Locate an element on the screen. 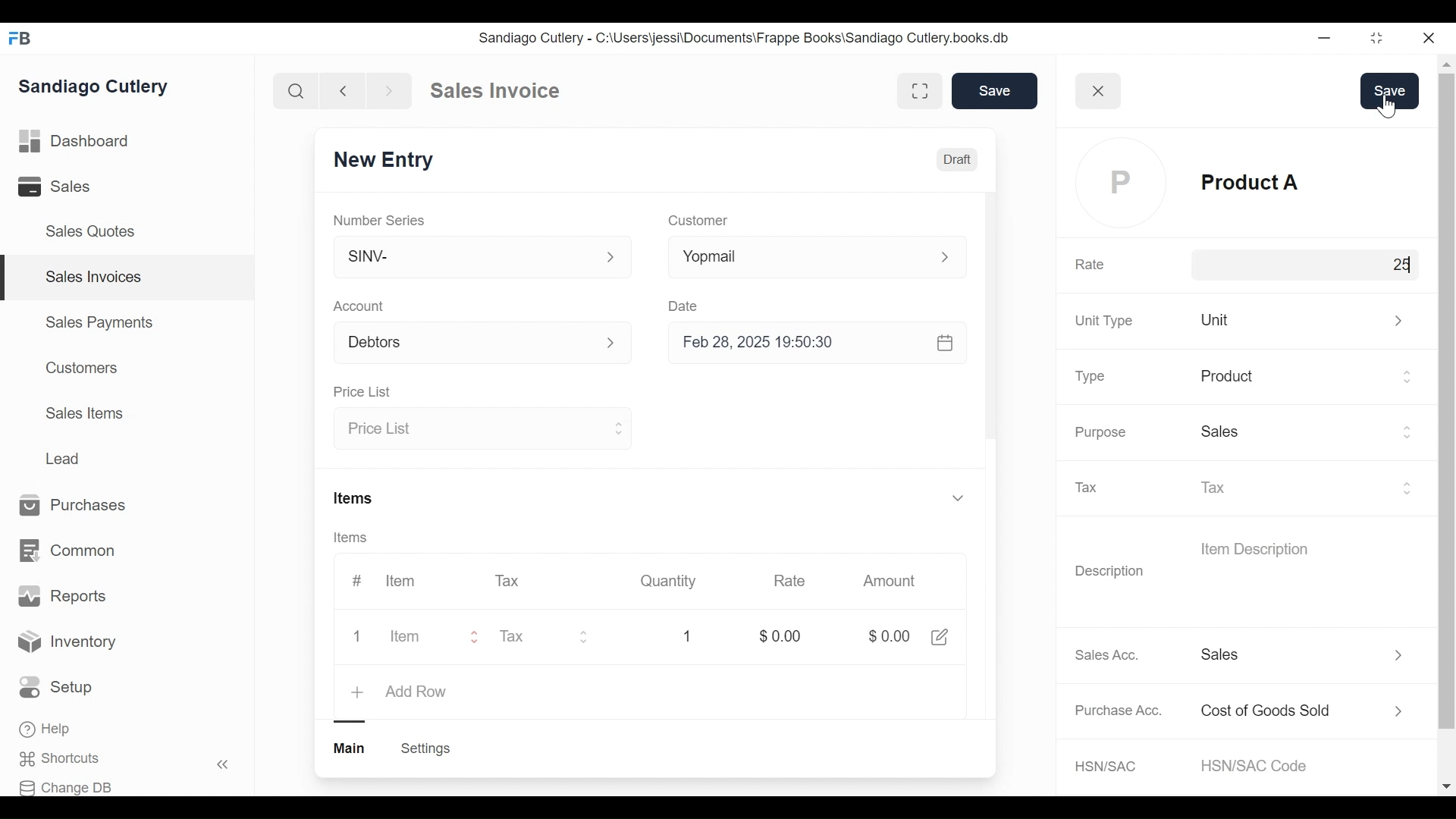 Image resolution: width=1456 pixels, height=819 pixels. close is located at coordinates (1100, 90).